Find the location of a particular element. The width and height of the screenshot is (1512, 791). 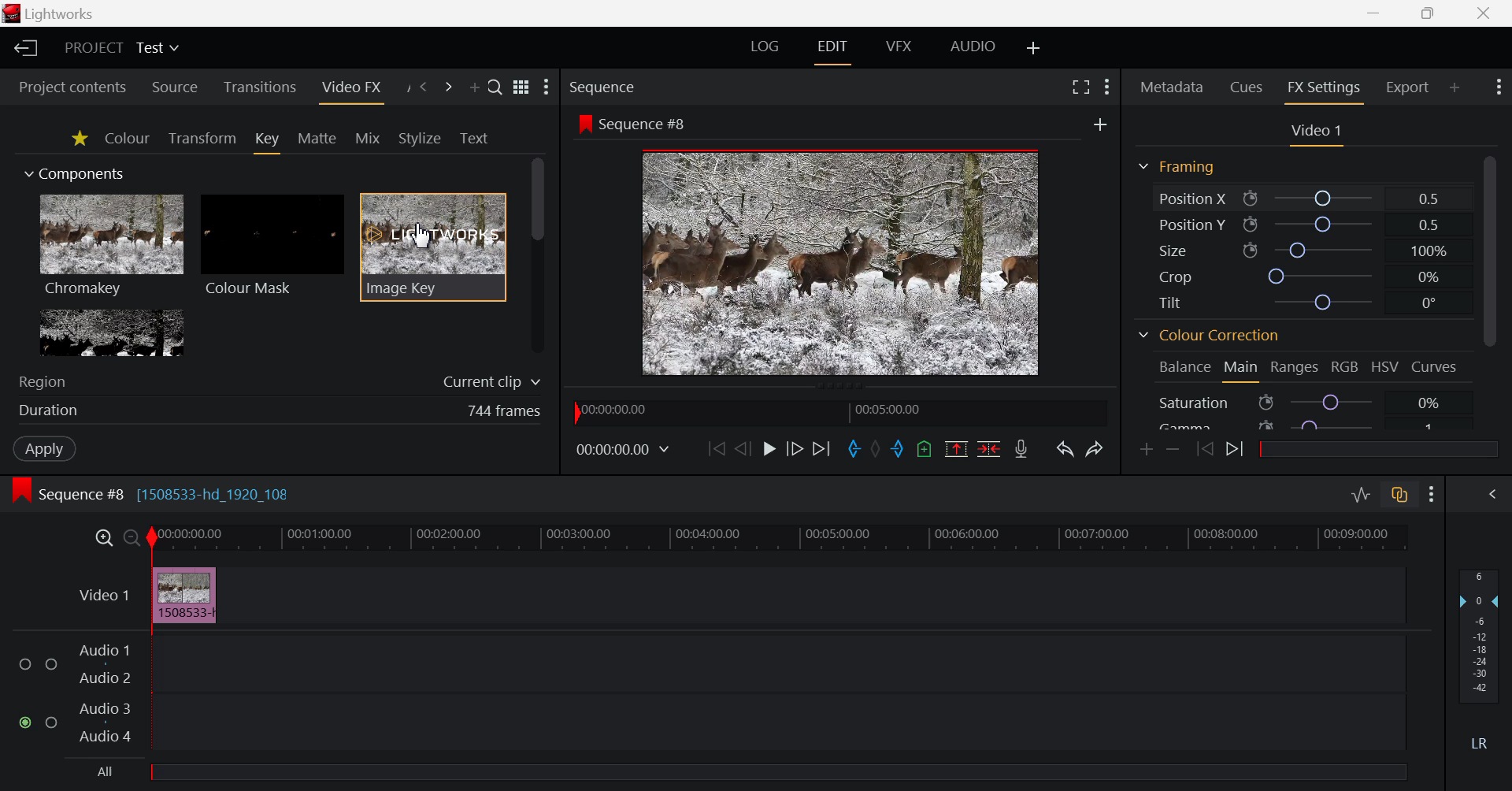

Go Back is located at coordinates (743, 448).